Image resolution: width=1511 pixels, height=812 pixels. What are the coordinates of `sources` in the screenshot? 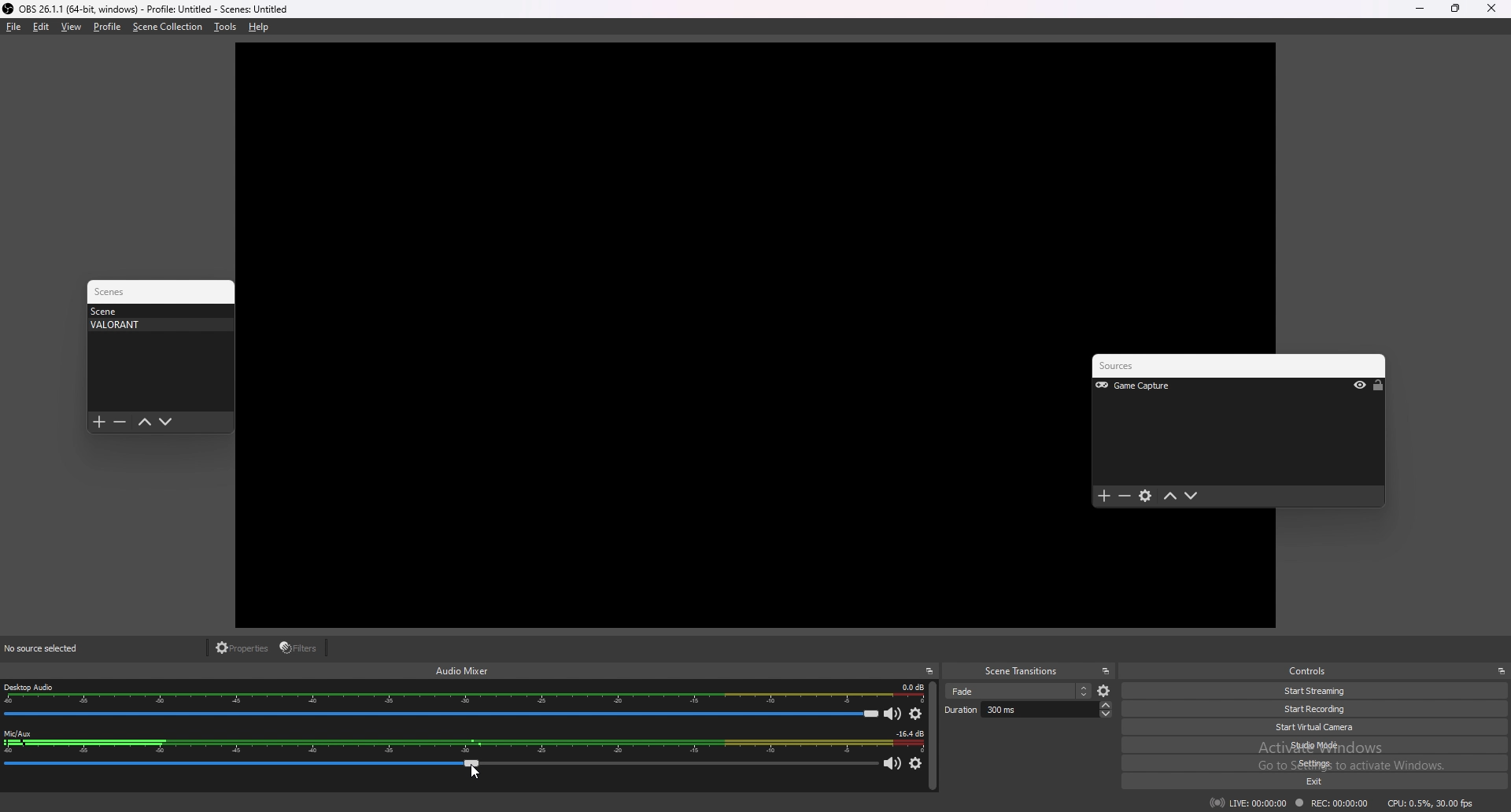 It's located at (1136, 367).